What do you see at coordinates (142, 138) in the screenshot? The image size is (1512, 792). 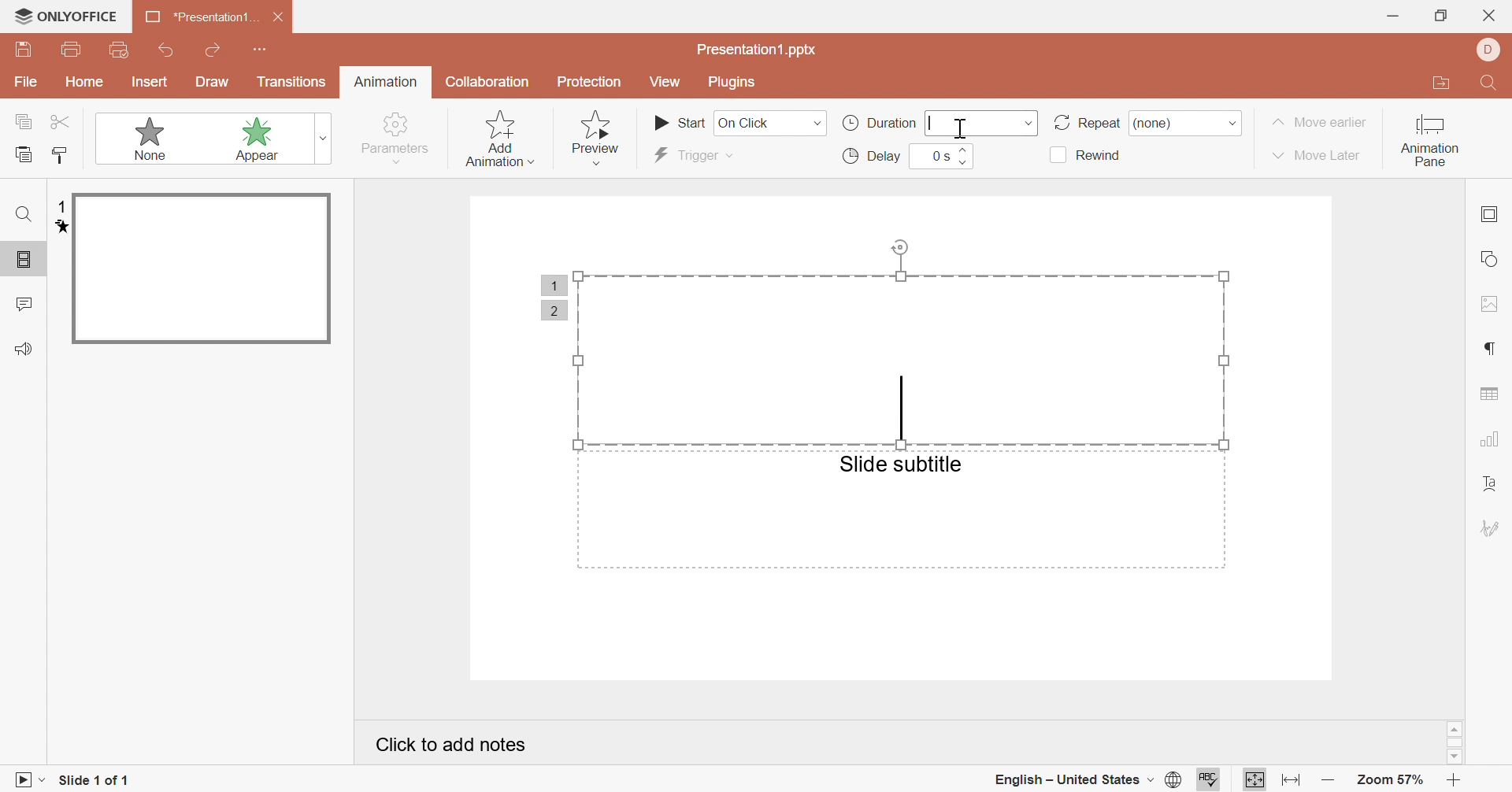 I see `none` at bounding box center [142, 138].